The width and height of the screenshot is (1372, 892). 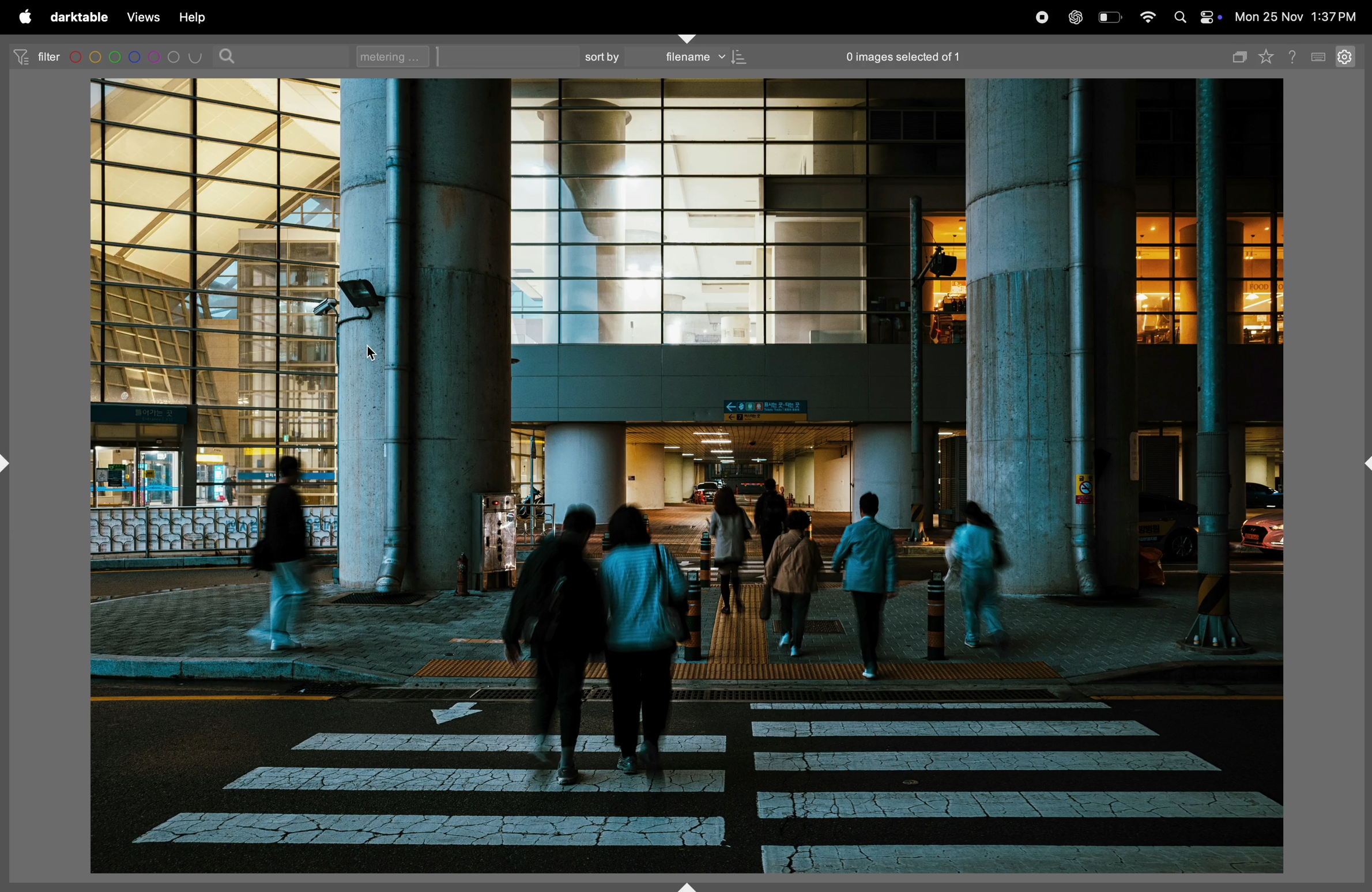 I want to click on keyboard, so click(x=1320, y=55).